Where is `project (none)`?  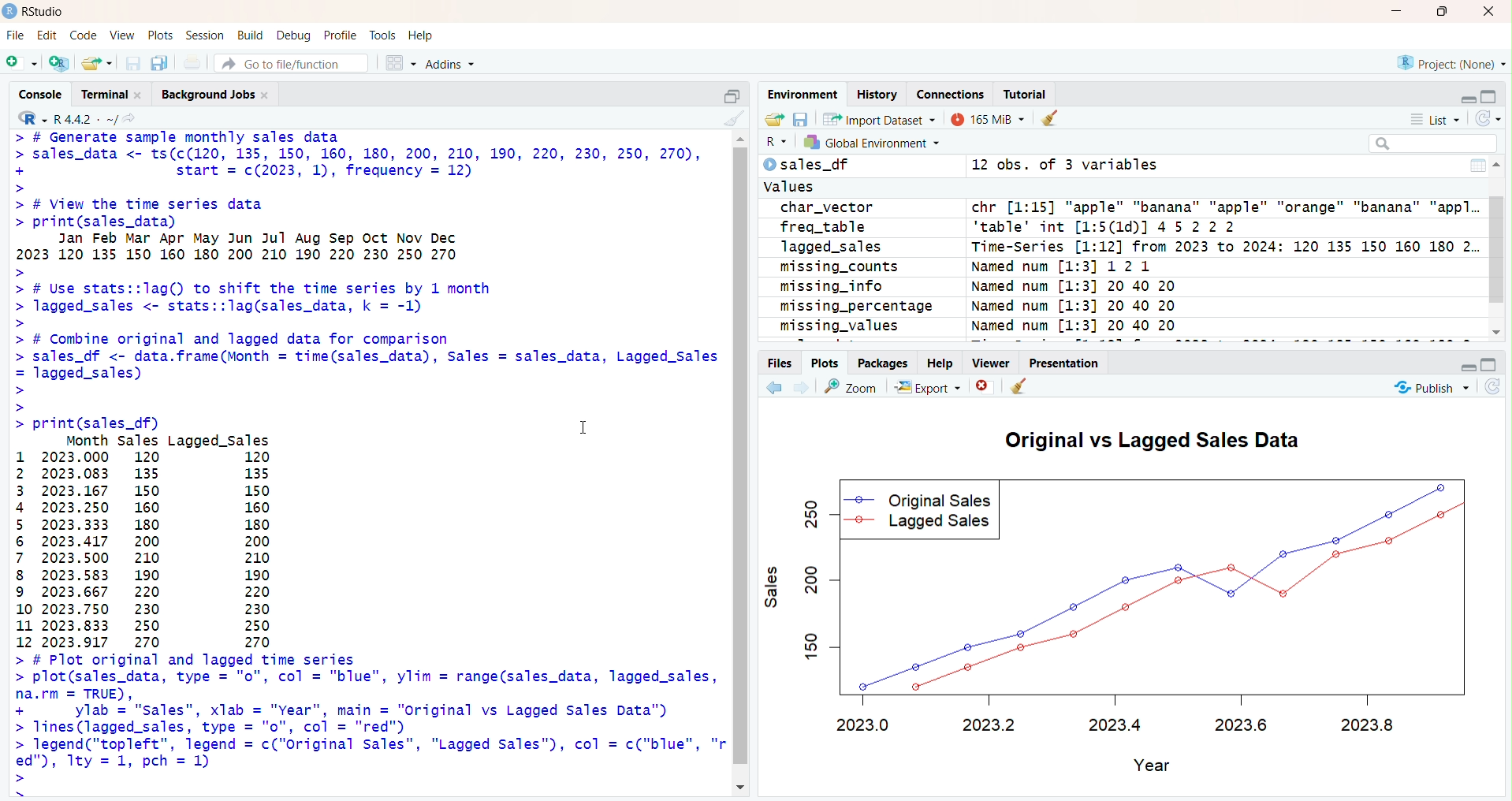
project (none) is located at coordinates (1449, 61).